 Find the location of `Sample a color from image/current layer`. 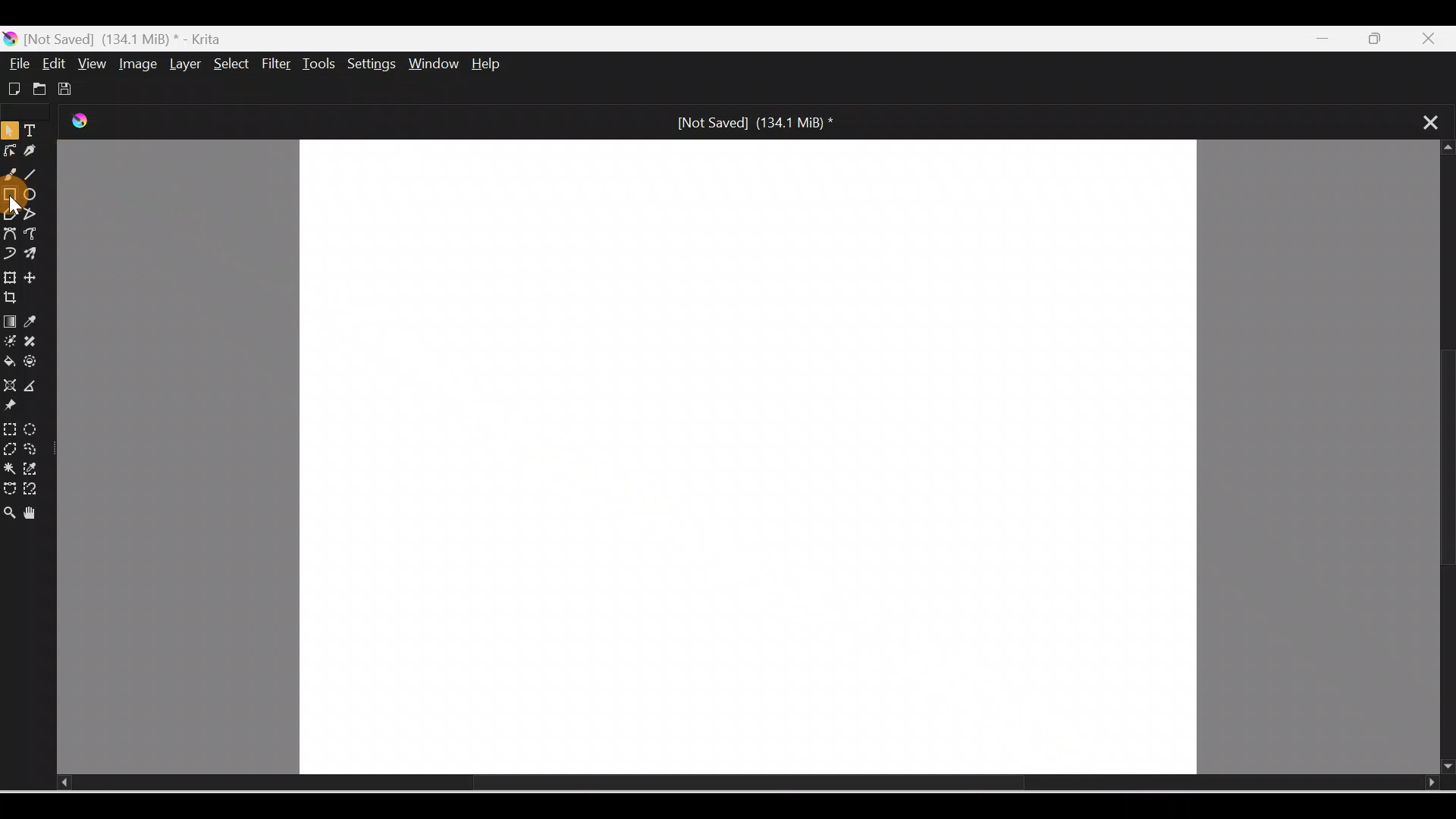

Sample a color from image/current layer is located at coordinates (36, 322).